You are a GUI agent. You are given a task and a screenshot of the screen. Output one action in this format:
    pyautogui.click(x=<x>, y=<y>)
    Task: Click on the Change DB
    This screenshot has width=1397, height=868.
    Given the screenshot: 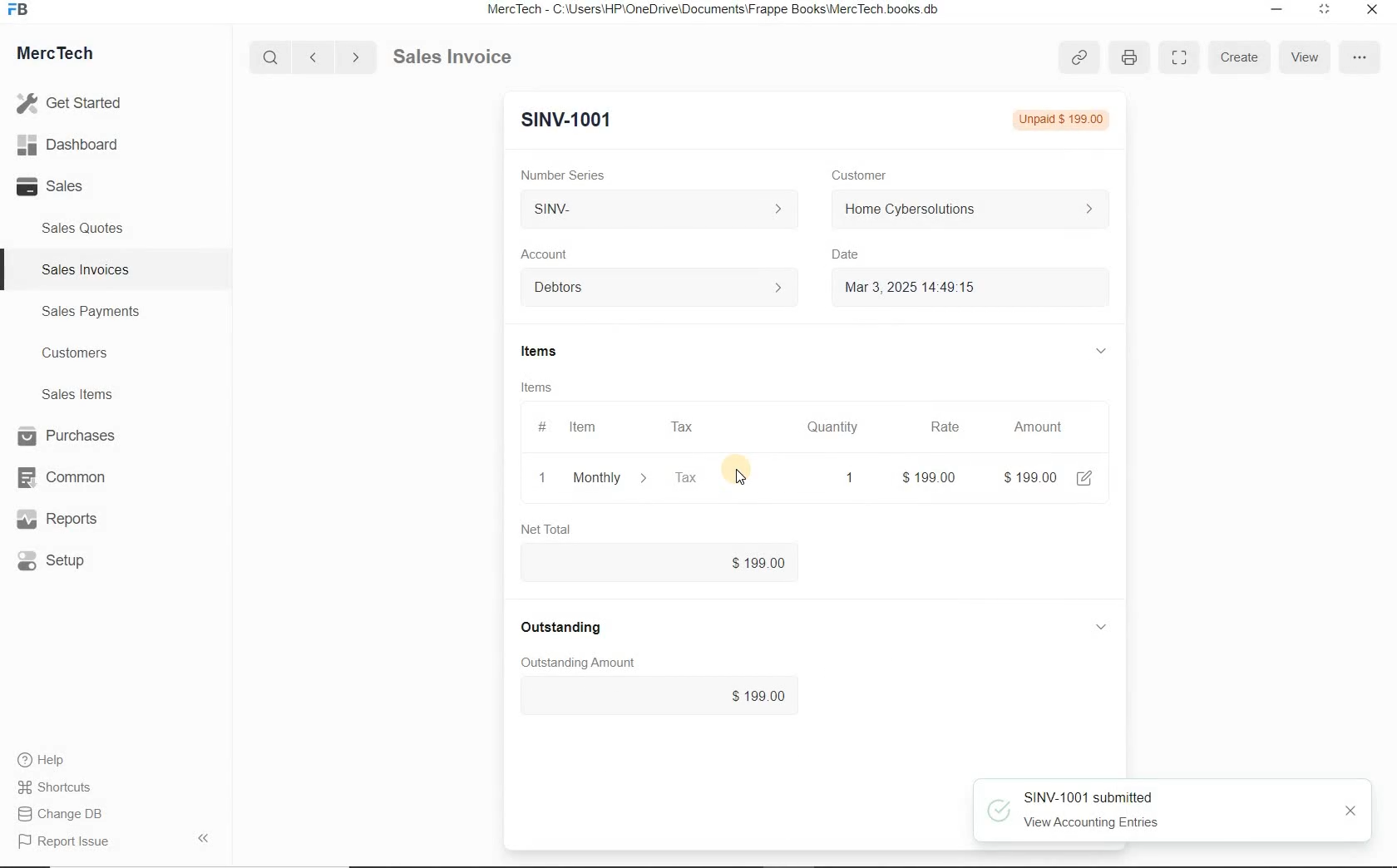 What is the action you would take?
    pyautogui.click(x=62, y=814)
    